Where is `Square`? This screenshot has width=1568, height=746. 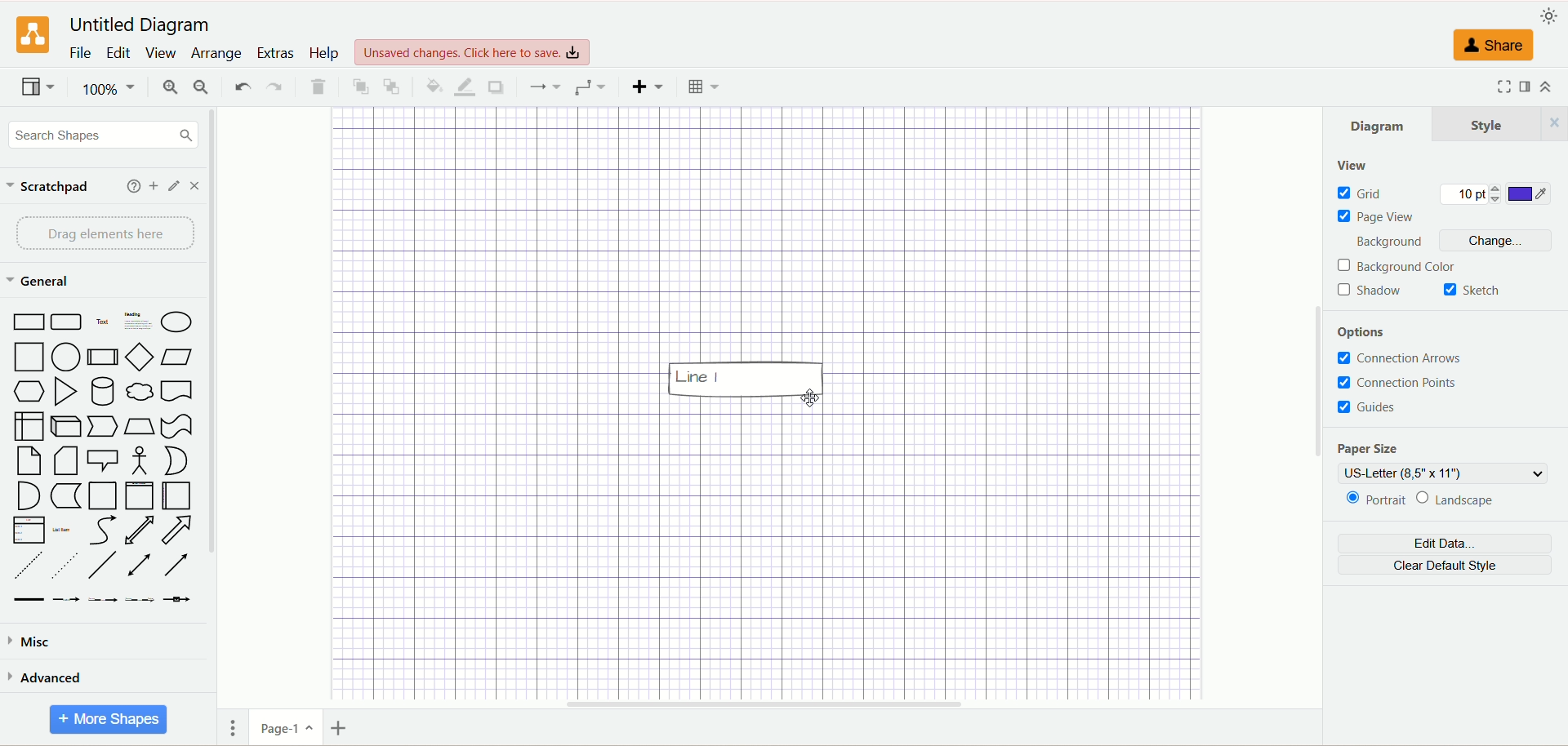 Square is located at coordinates (27, 358).